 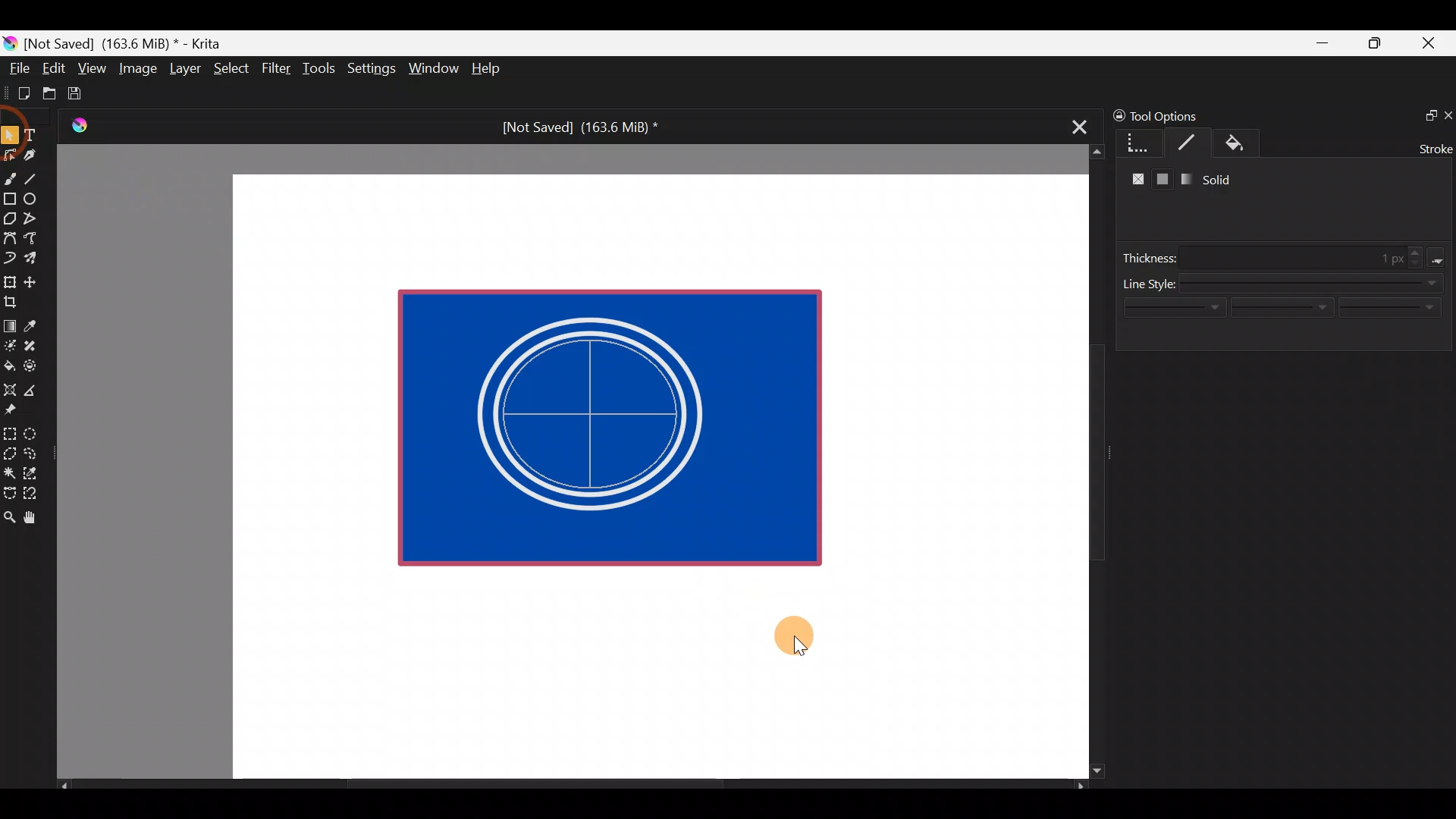 What do you see at coordinates (36, 219) in the screenshot?
I see `Polyline tool` at bounding box center [36, 219].